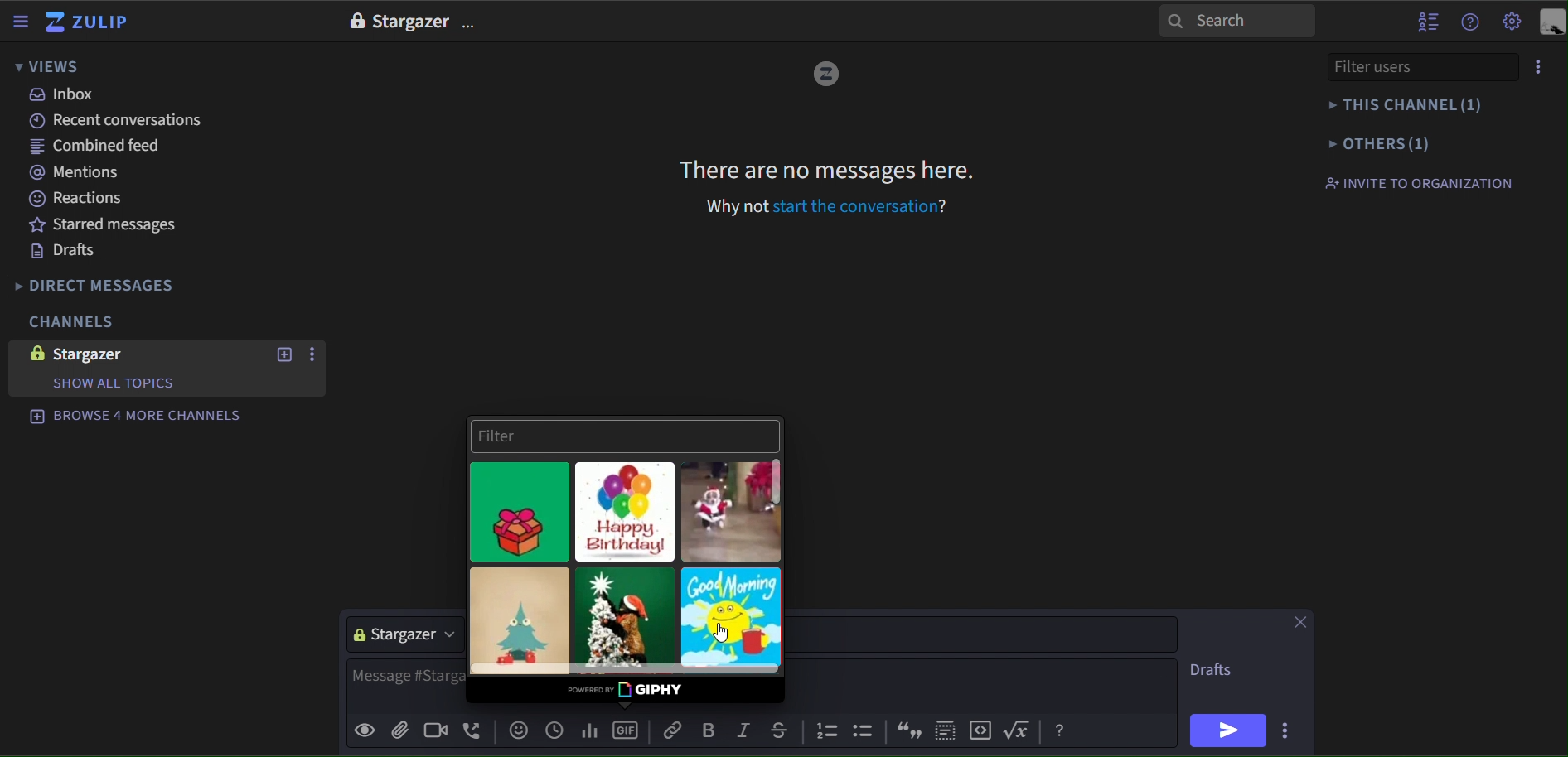  Describe the element at coordinates (708, 730) in the screenshot. I see `bold` at that location.